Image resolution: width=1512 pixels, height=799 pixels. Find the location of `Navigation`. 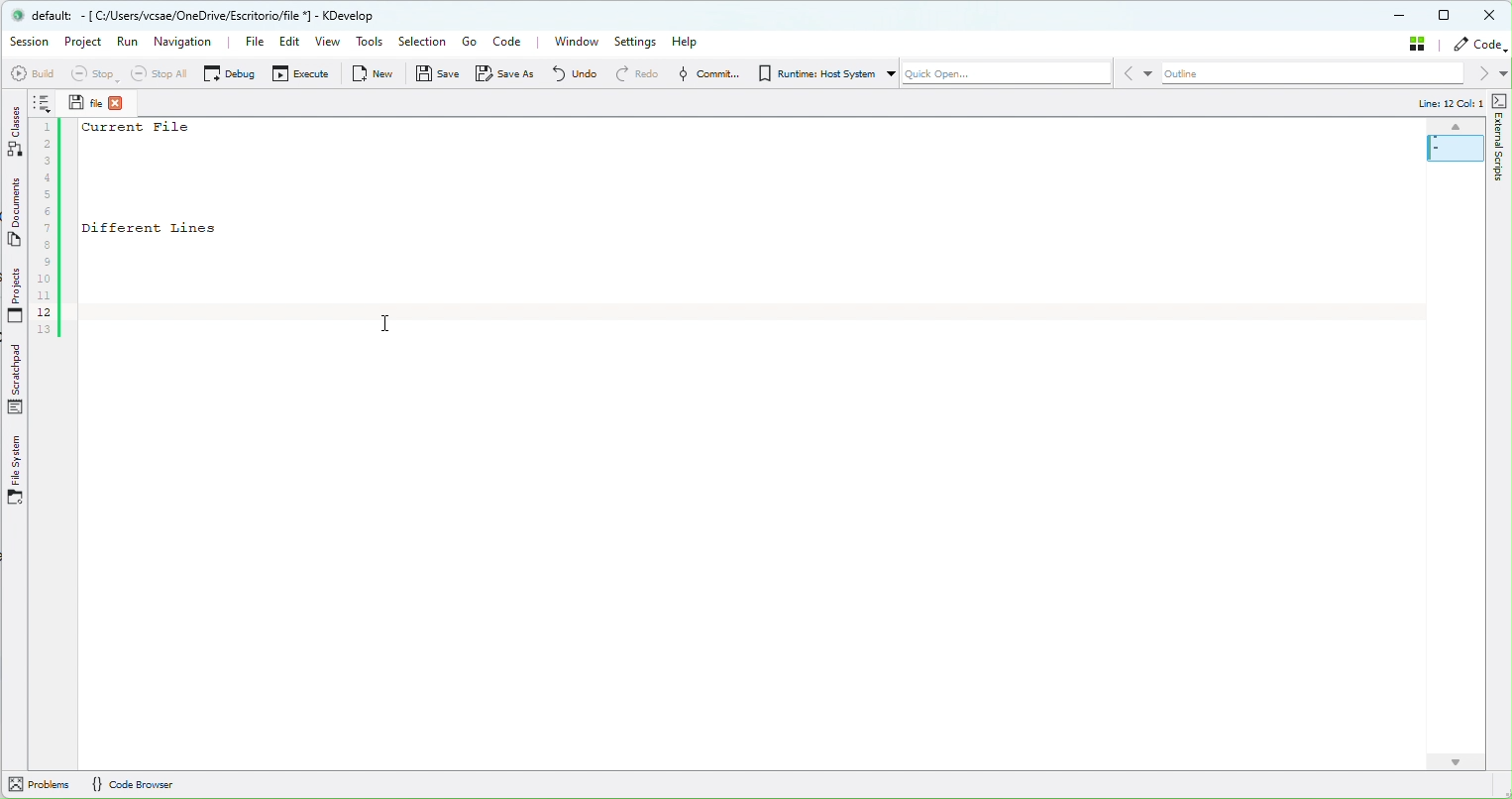

Navigation is located at coordinates (189, 41).